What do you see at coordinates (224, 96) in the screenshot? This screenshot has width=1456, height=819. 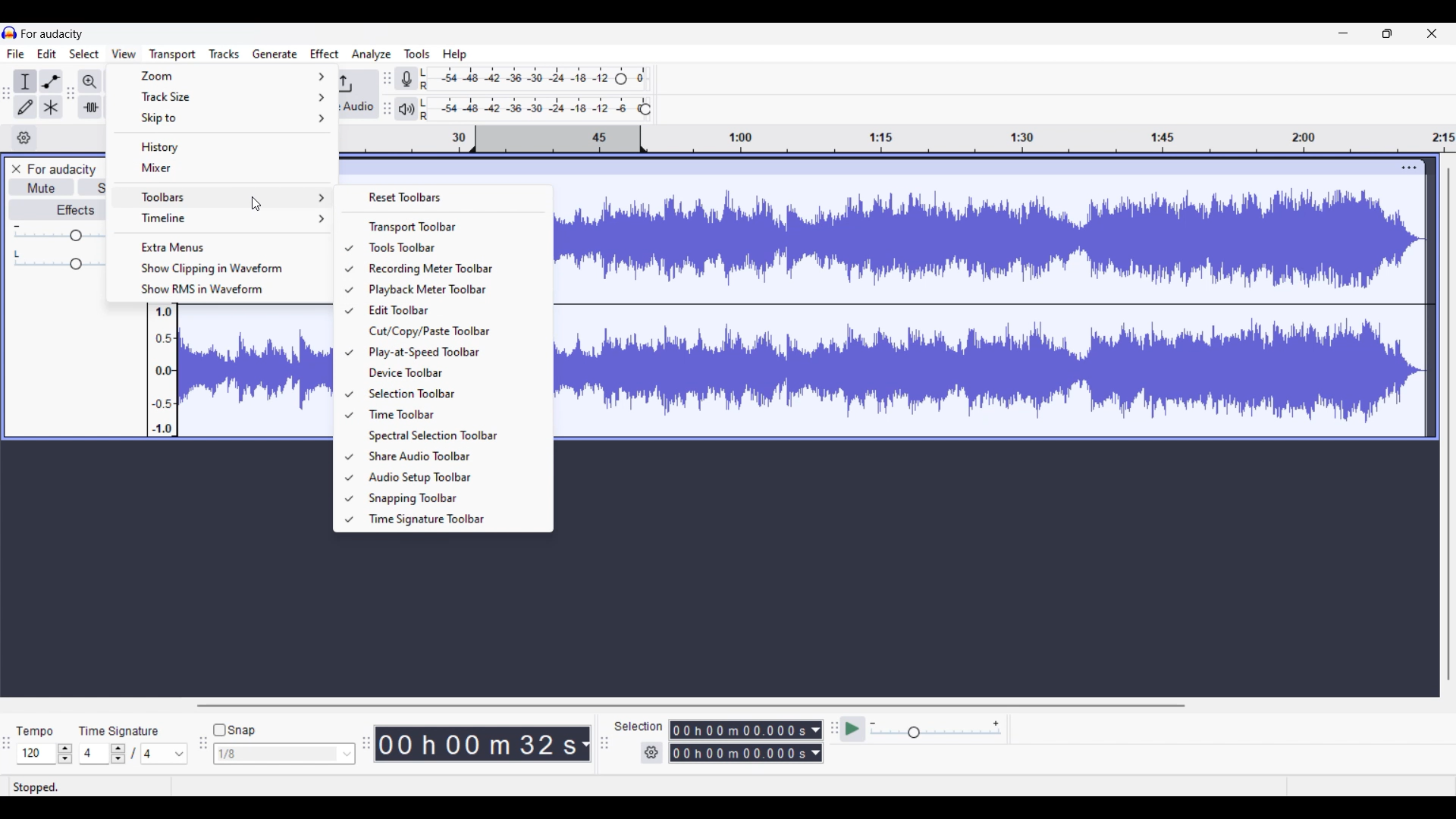 I see `Track size options` at bounding box center [224, 96].